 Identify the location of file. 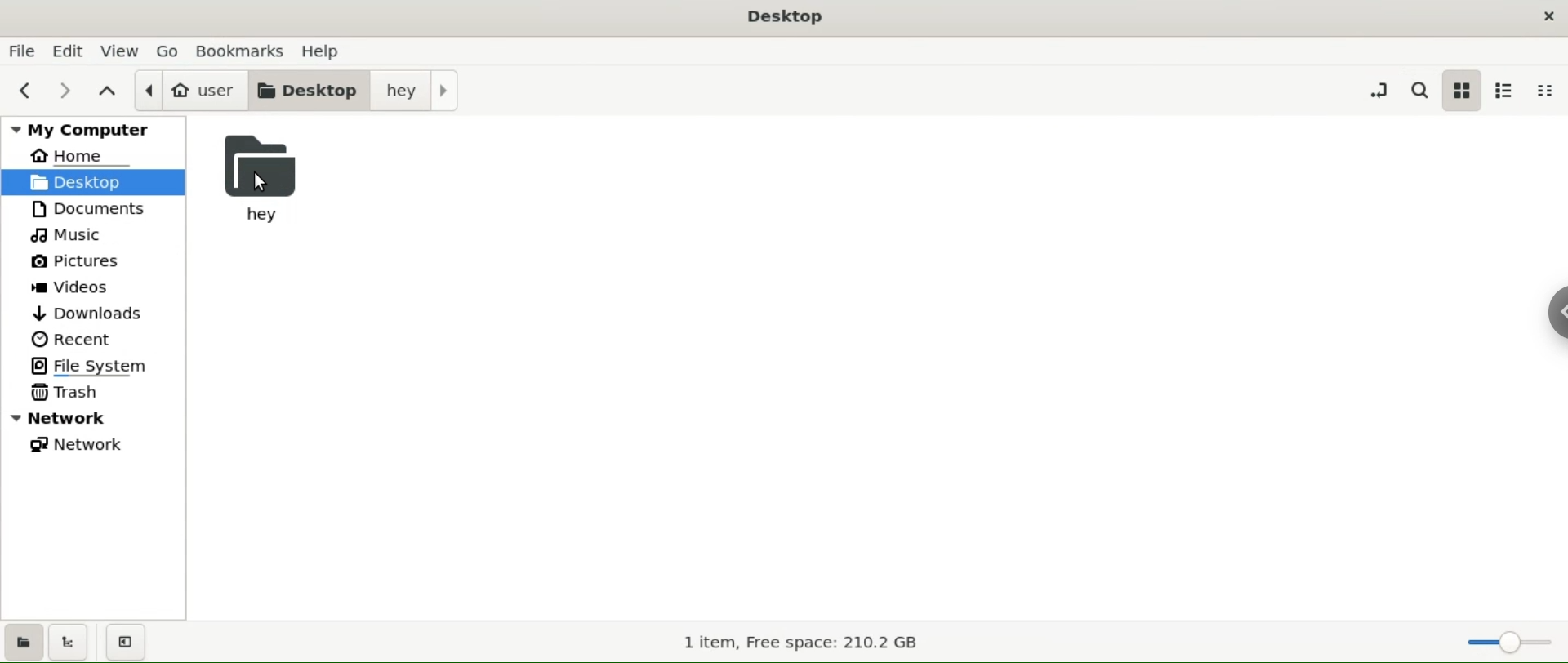
(21, 53).